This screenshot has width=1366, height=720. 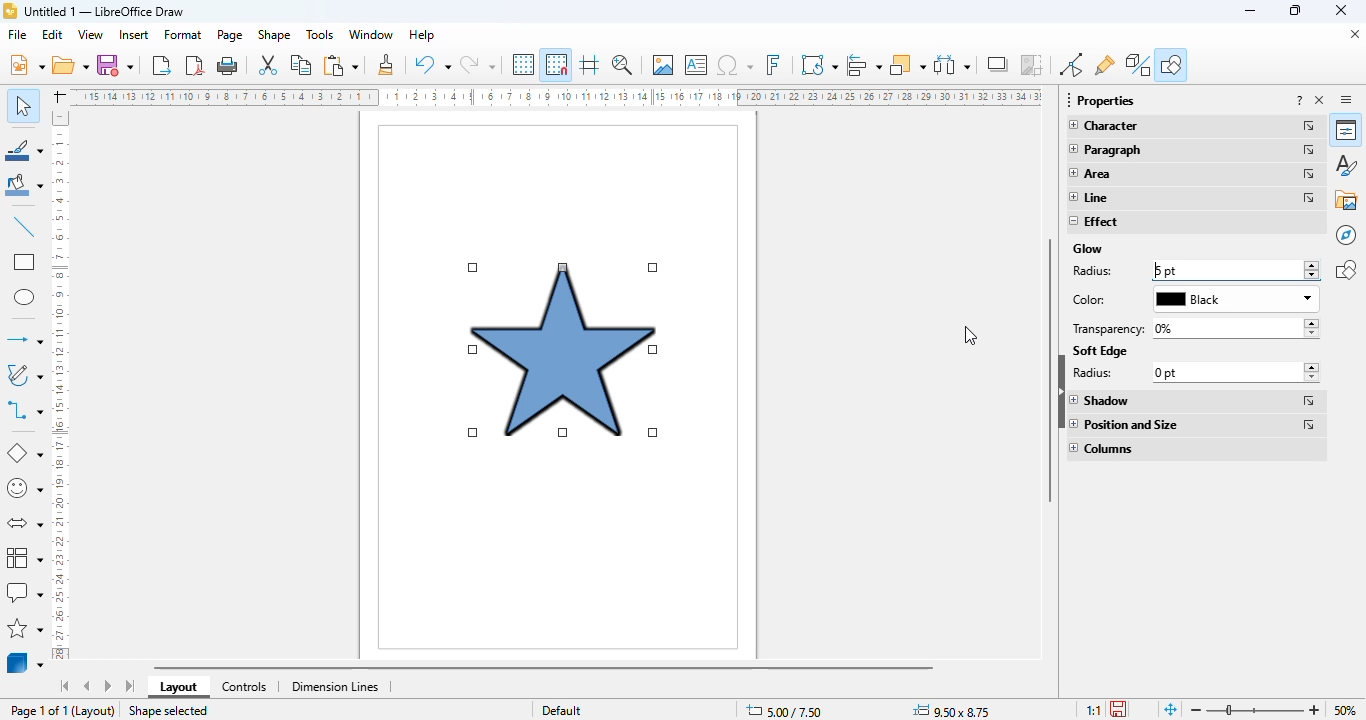 I want to click on display grid, so click(x=524, y=64).